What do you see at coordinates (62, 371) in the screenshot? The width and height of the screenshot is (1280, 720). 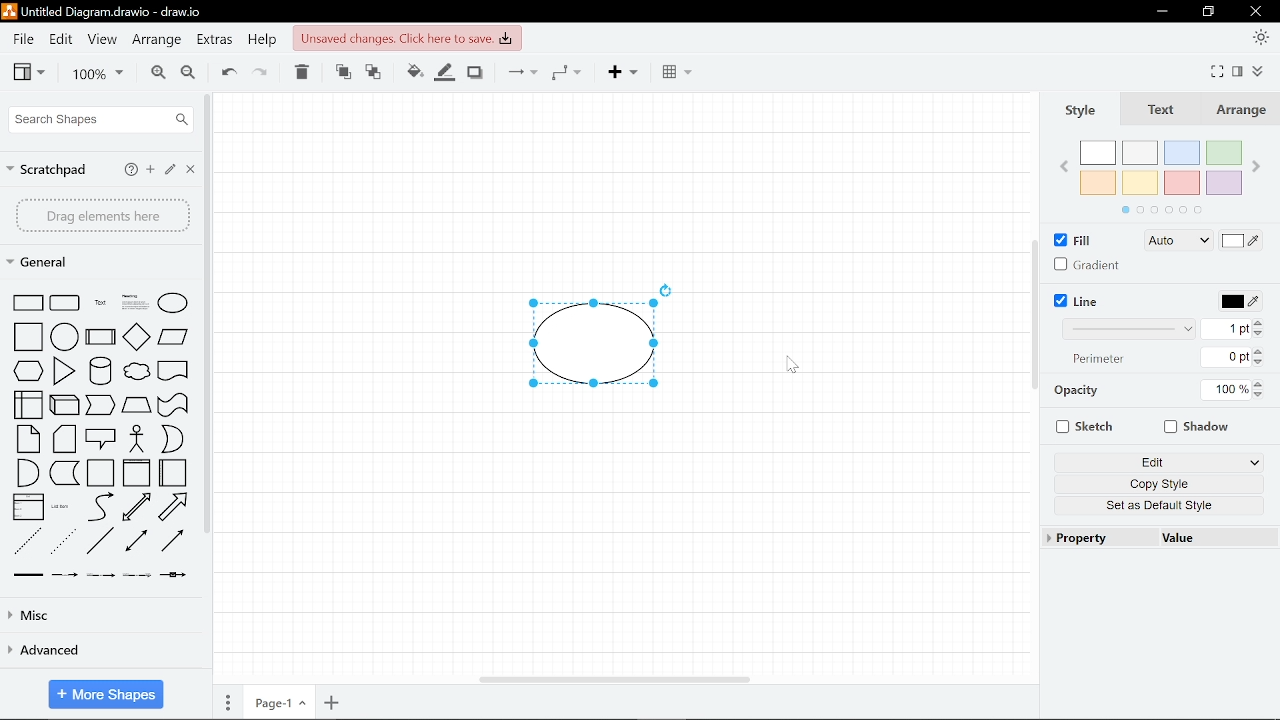 I see `traingle` at bounding box center [62, 371].